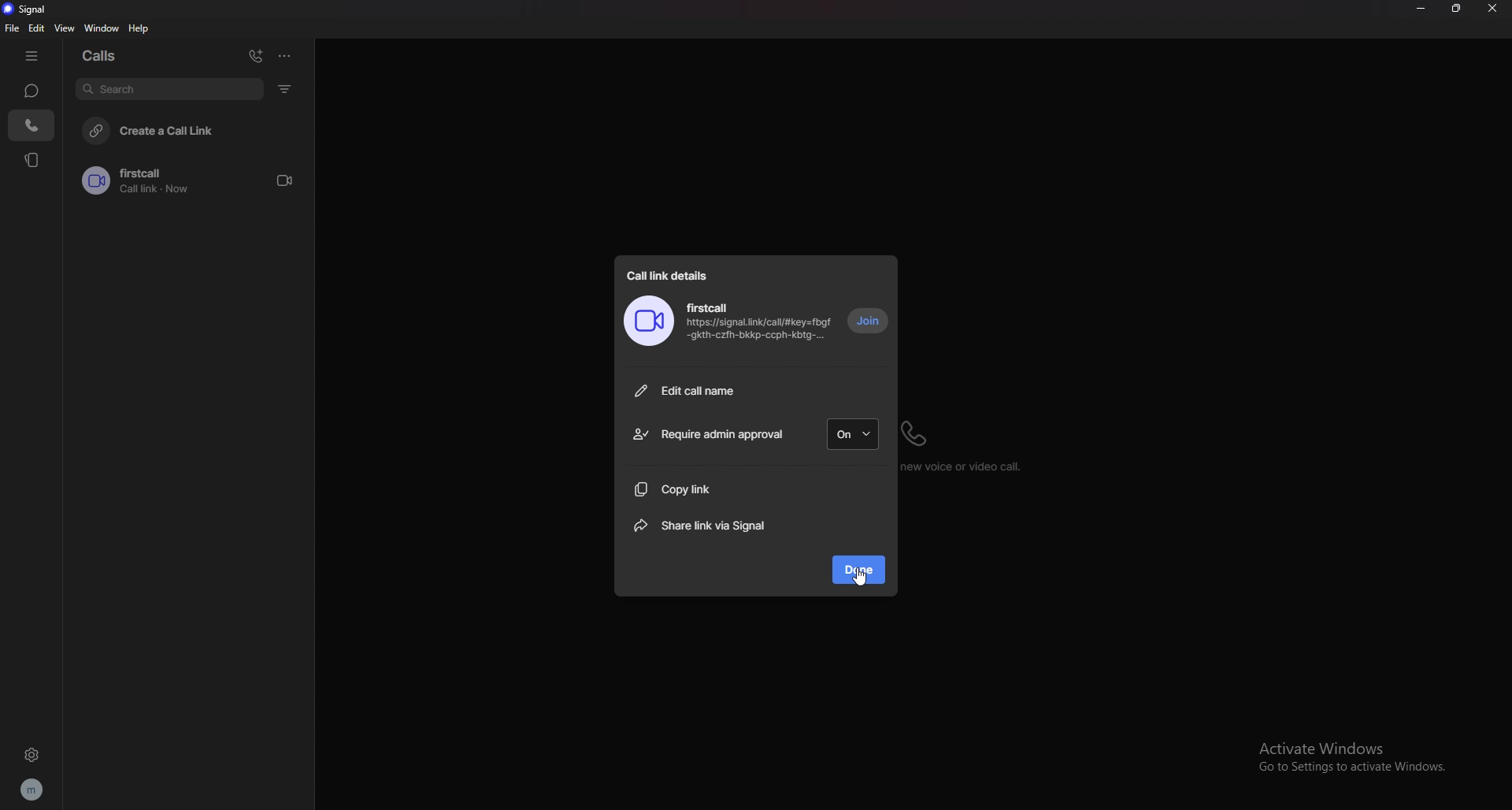 Image resolution: width=1512 pixels, height=810 pixels. I want to click on close, so click(1492, 9).